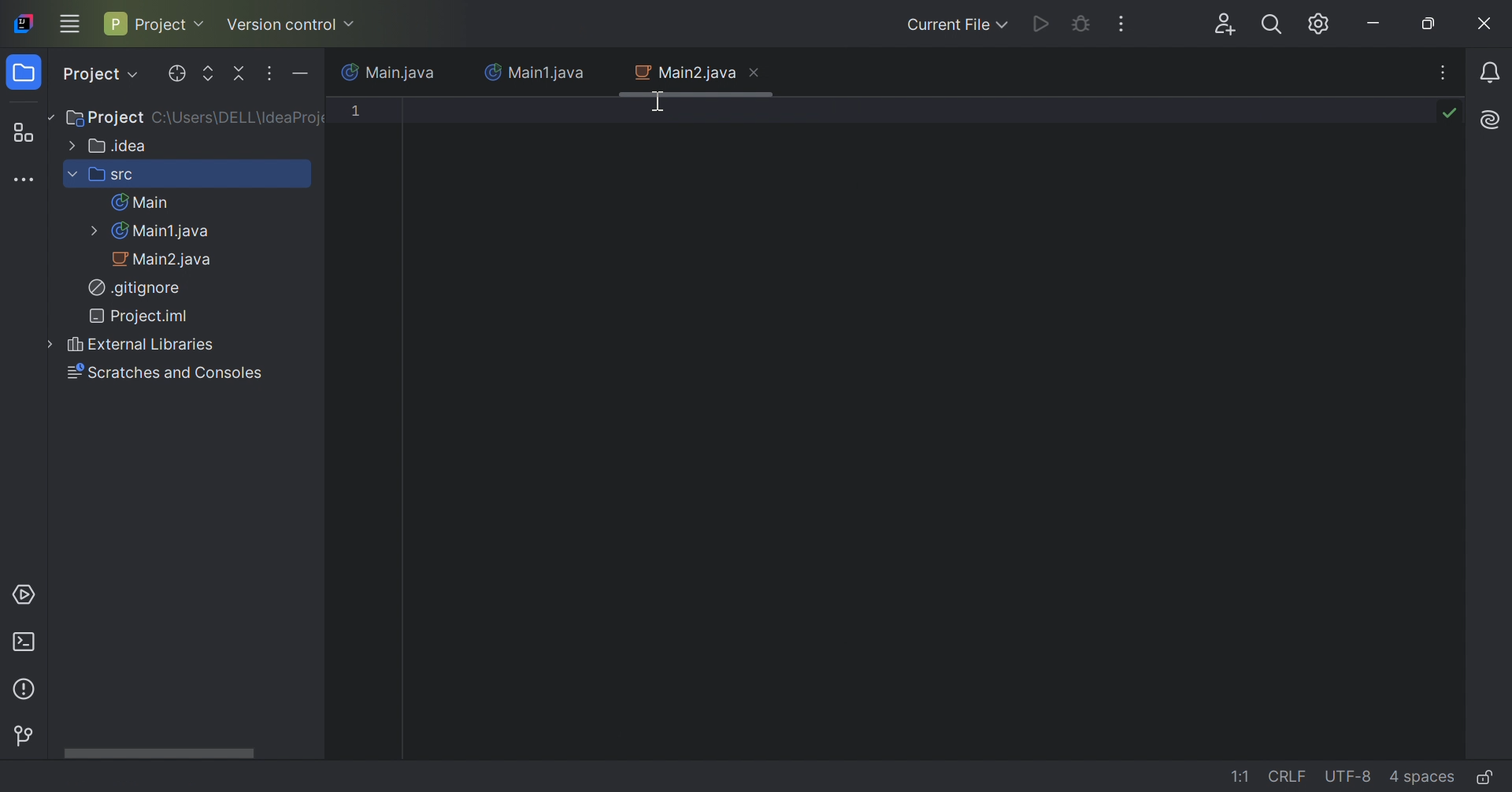 The width and height of the screenshot is (1512, 792). I want to click on Cursor, so click(661, 102).